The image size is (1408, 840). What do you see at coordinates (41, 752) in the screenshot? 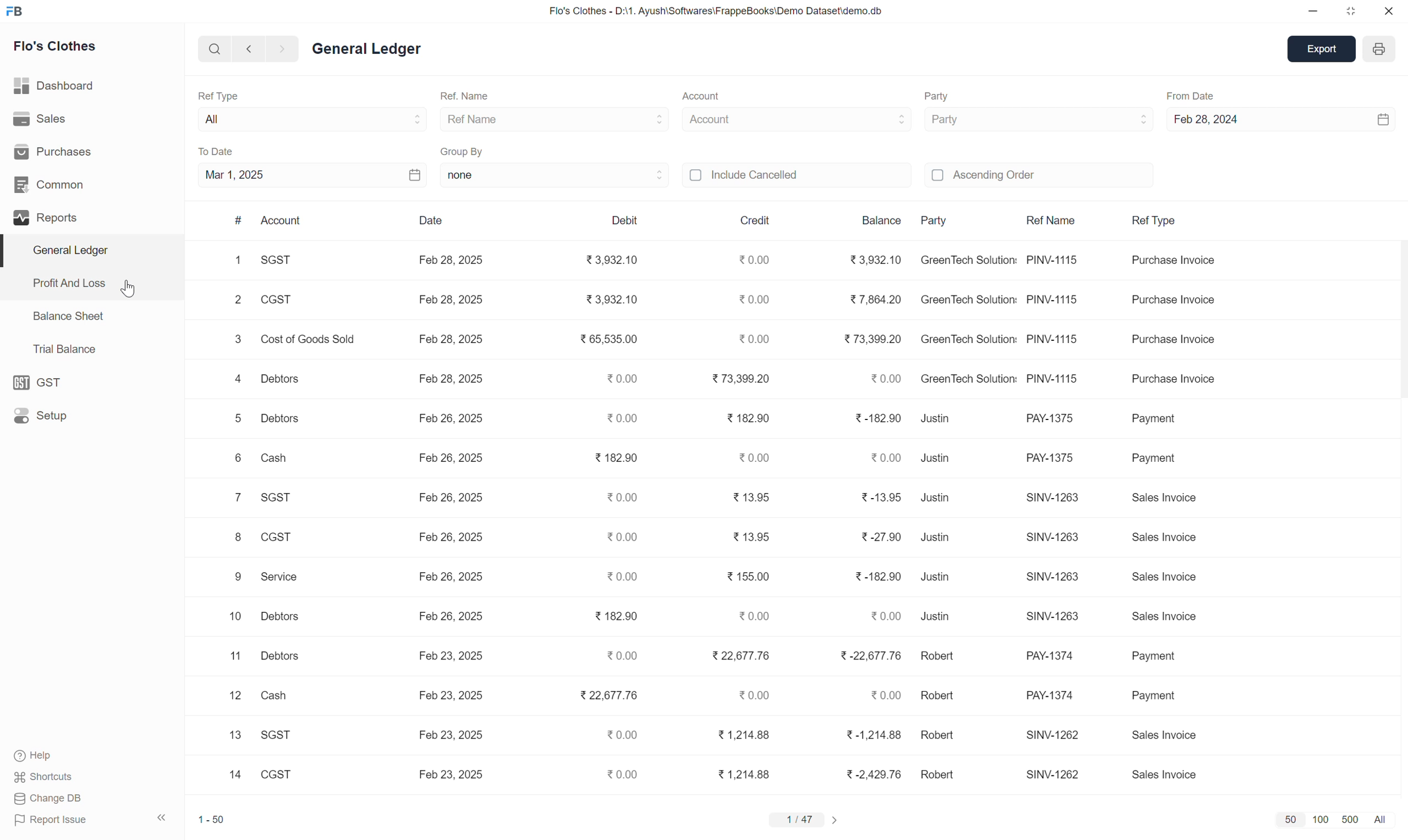
I see `? Help` at bounding box center [41, 752].